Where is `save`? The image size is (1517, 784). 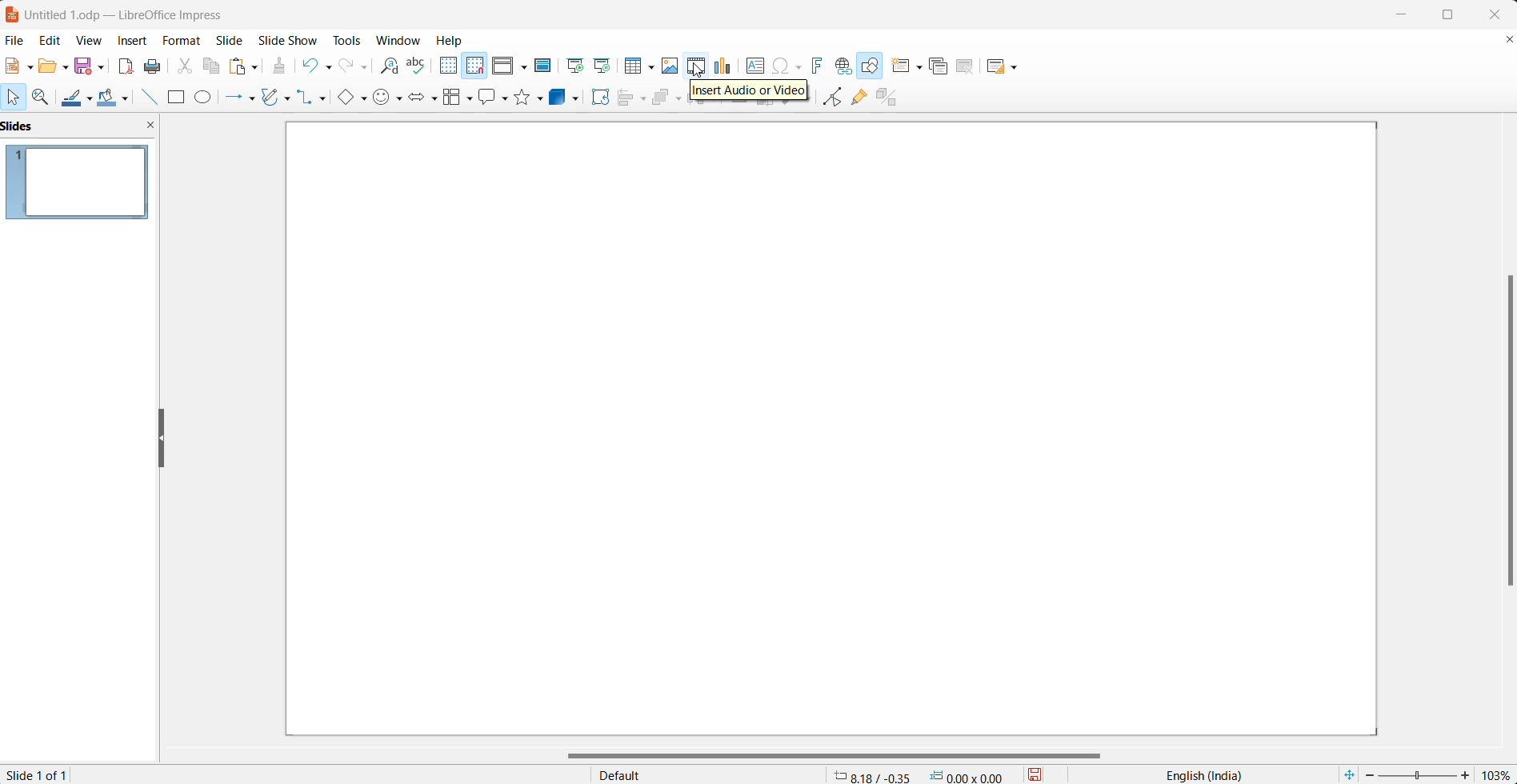
save is located at coordinates (85, 66).